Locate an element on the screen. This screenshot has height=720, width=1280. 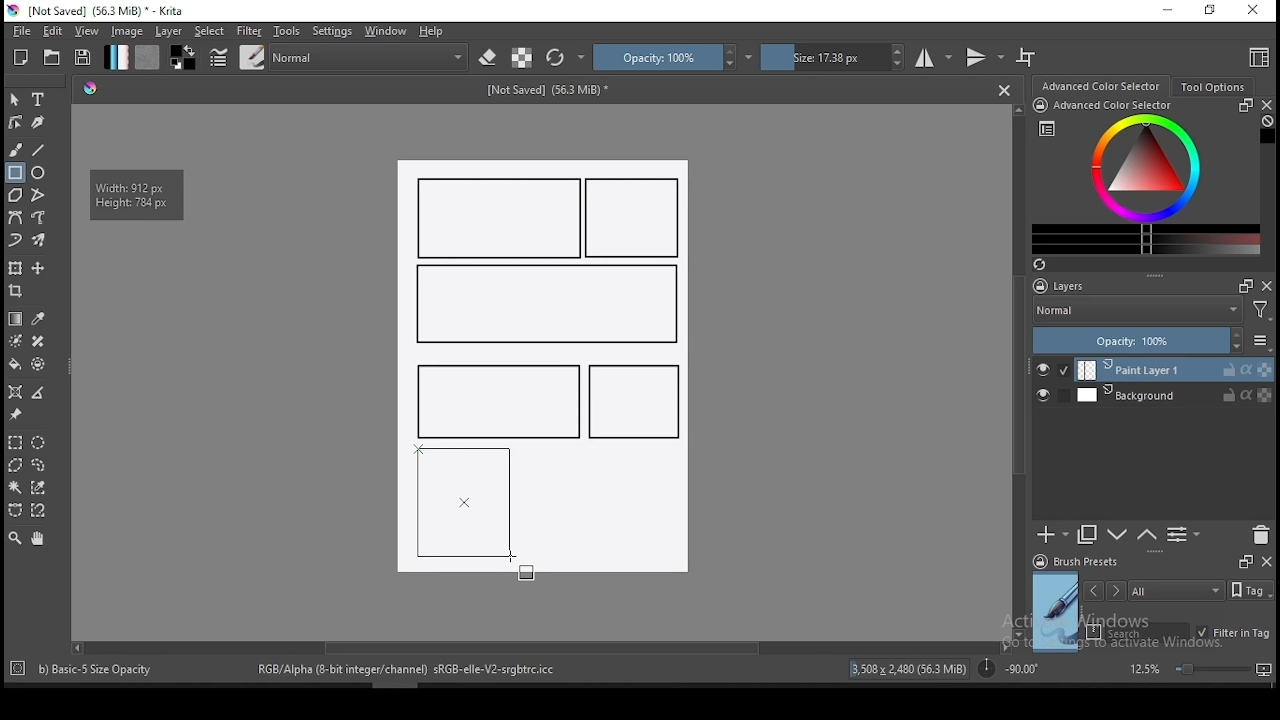
windows is located at coordinates (386, 31).